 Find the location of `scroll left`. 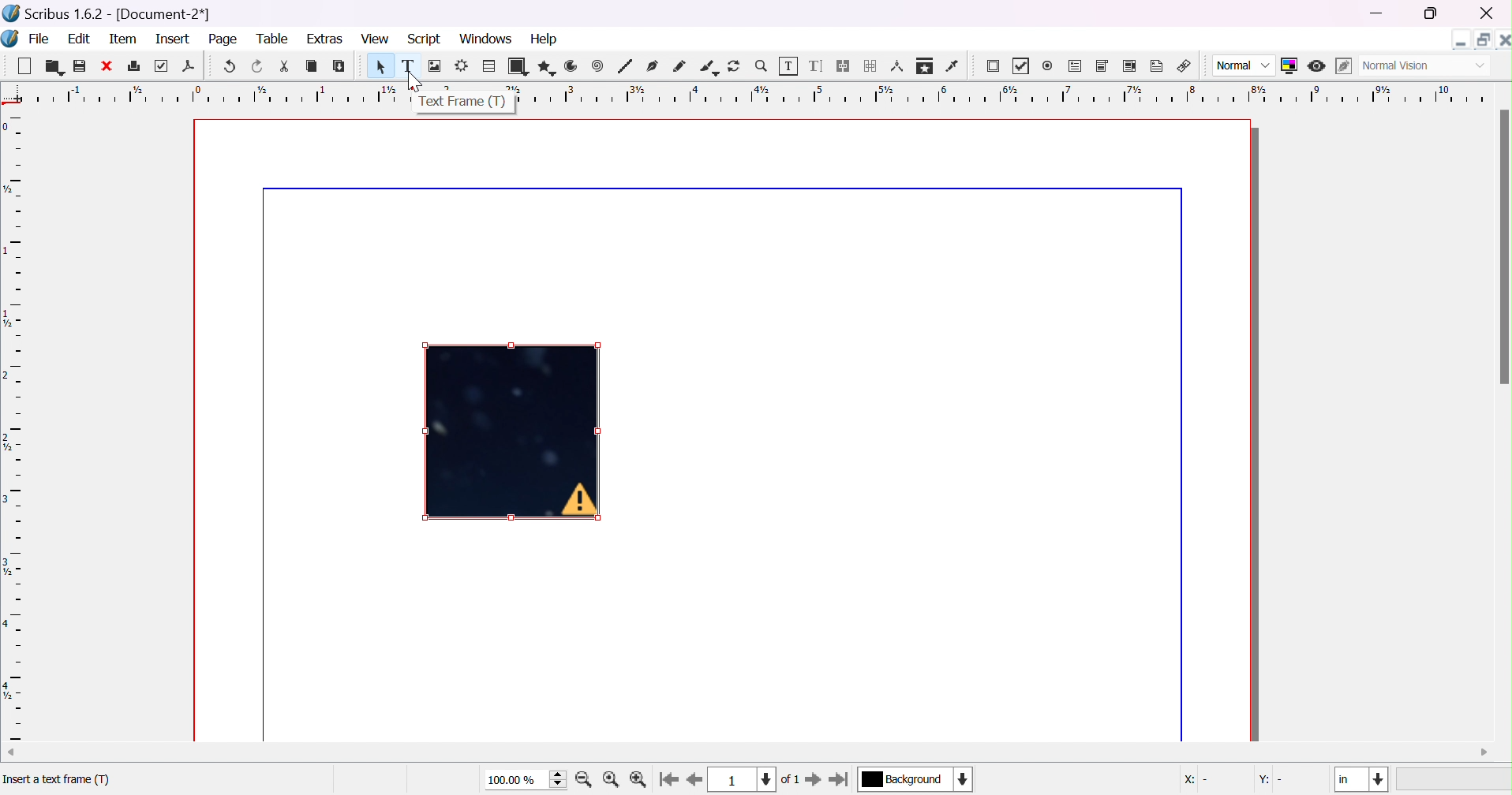

scroll left is located at coordinates (9, 751).